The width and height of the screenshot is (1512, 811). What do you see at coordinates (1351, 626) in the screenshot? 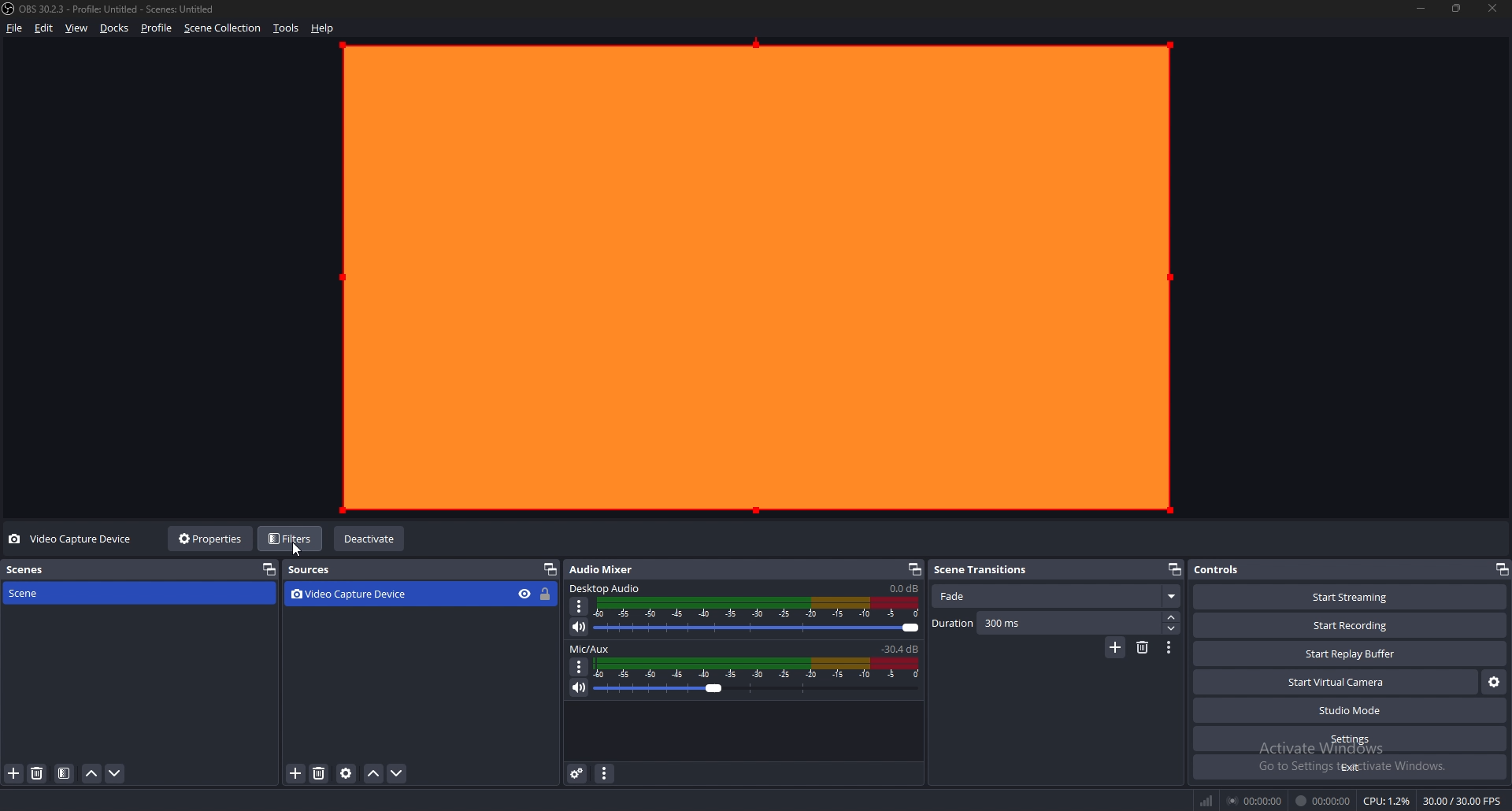
I see `start recording` at bounding box center [1351, 626].